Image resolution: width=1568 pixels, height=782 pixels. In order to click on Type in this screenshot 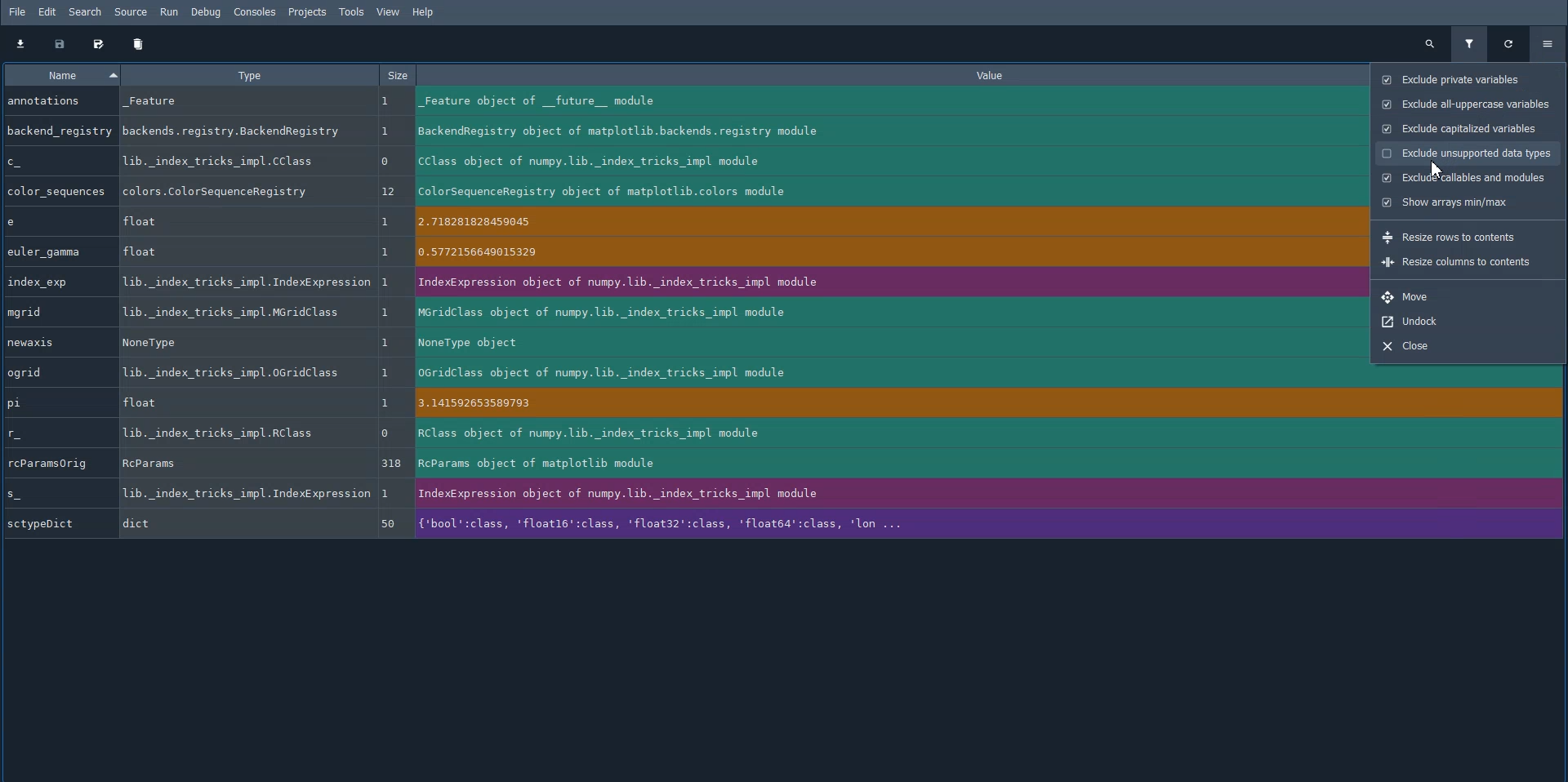, I will do `click(248, 74)`.